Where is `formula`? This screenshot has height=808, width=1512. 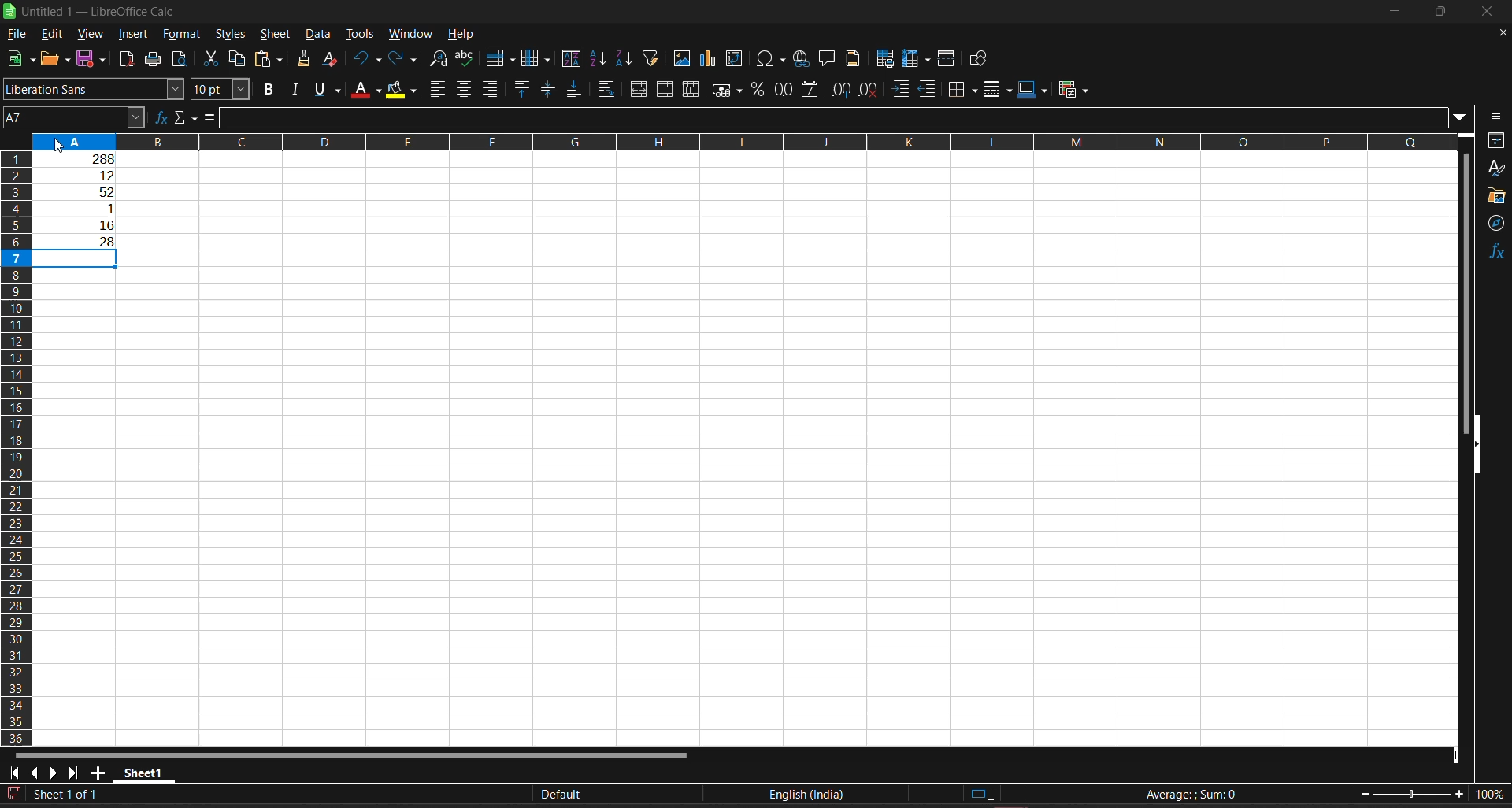
formula is located at coordinates (1195, 796).